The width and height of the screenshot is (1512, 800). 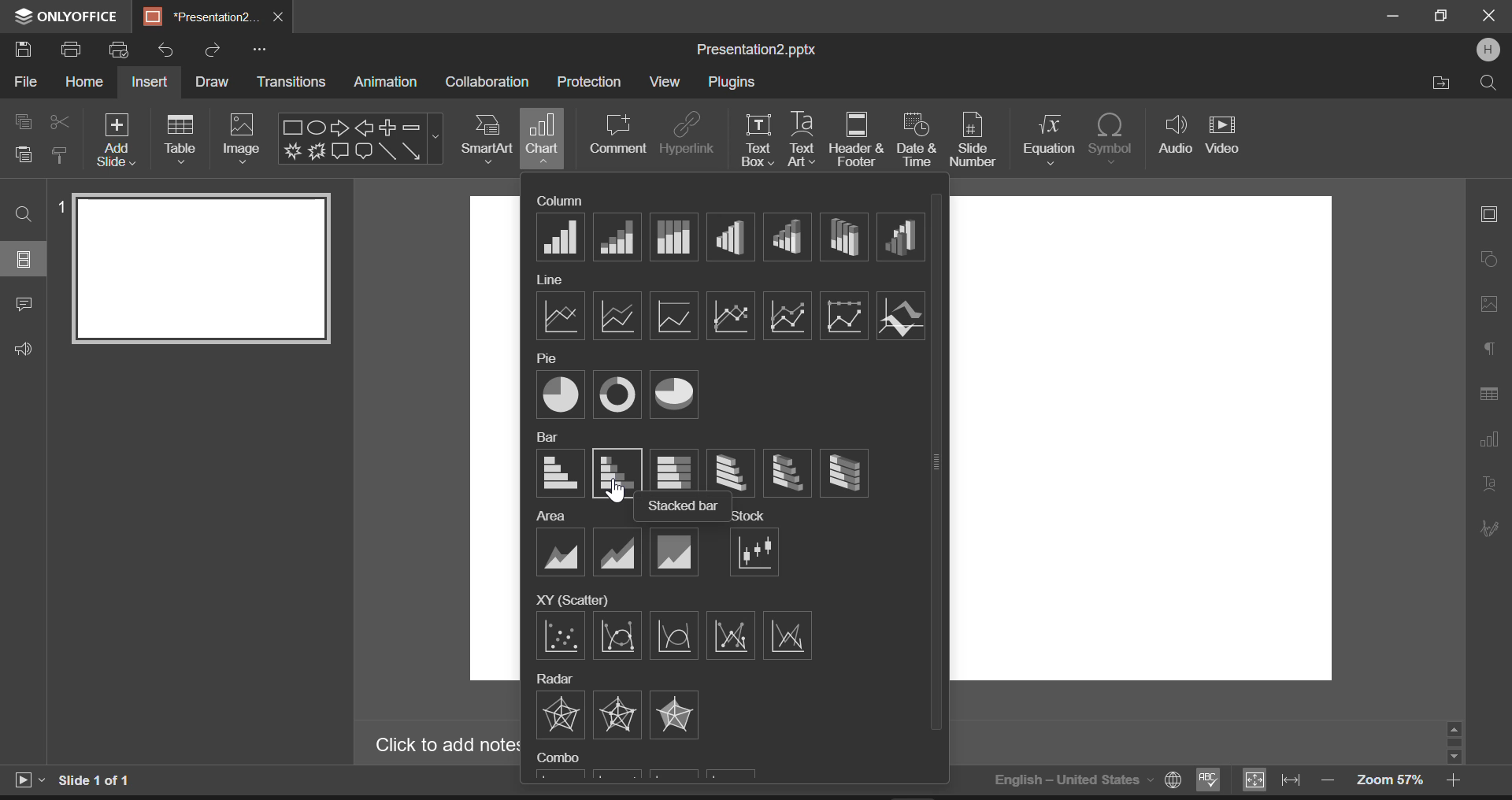 I want to click on Pie, so click(x=549, y=359).